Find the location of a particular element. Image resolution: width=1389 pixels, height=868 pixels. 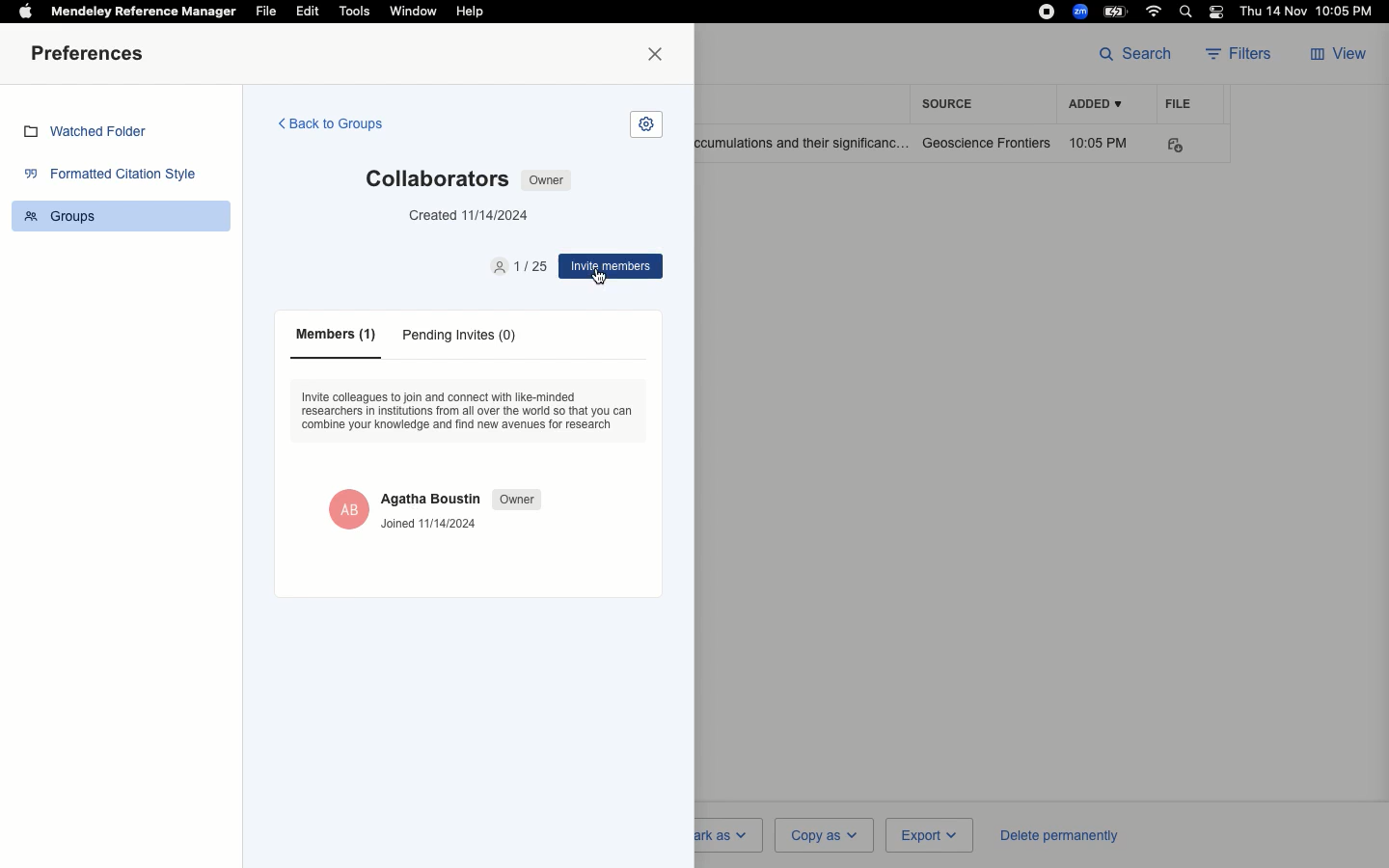

Geoscience frontiers is located at coordinates (987, 143).